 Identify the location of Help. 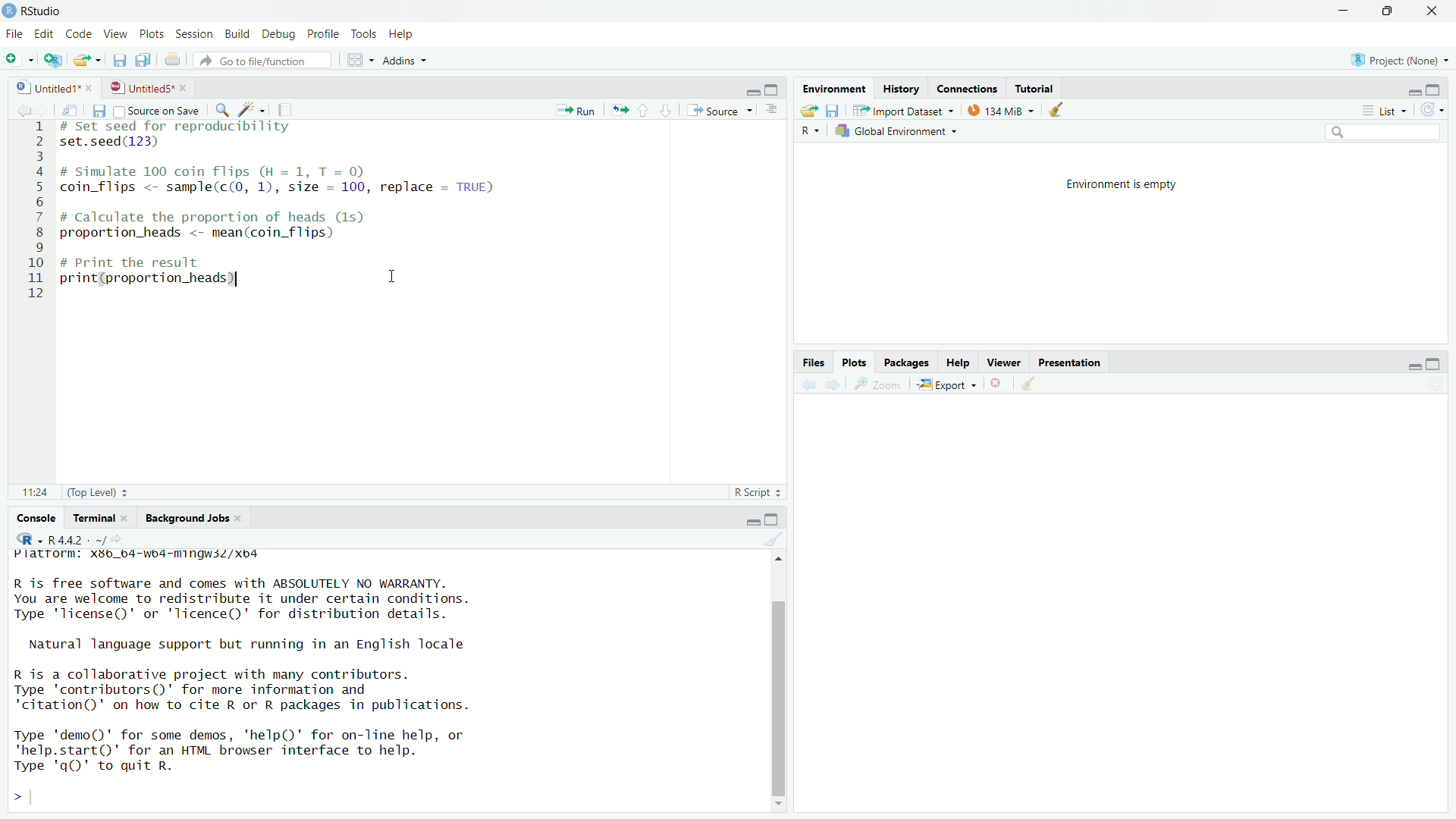
(959, 363).